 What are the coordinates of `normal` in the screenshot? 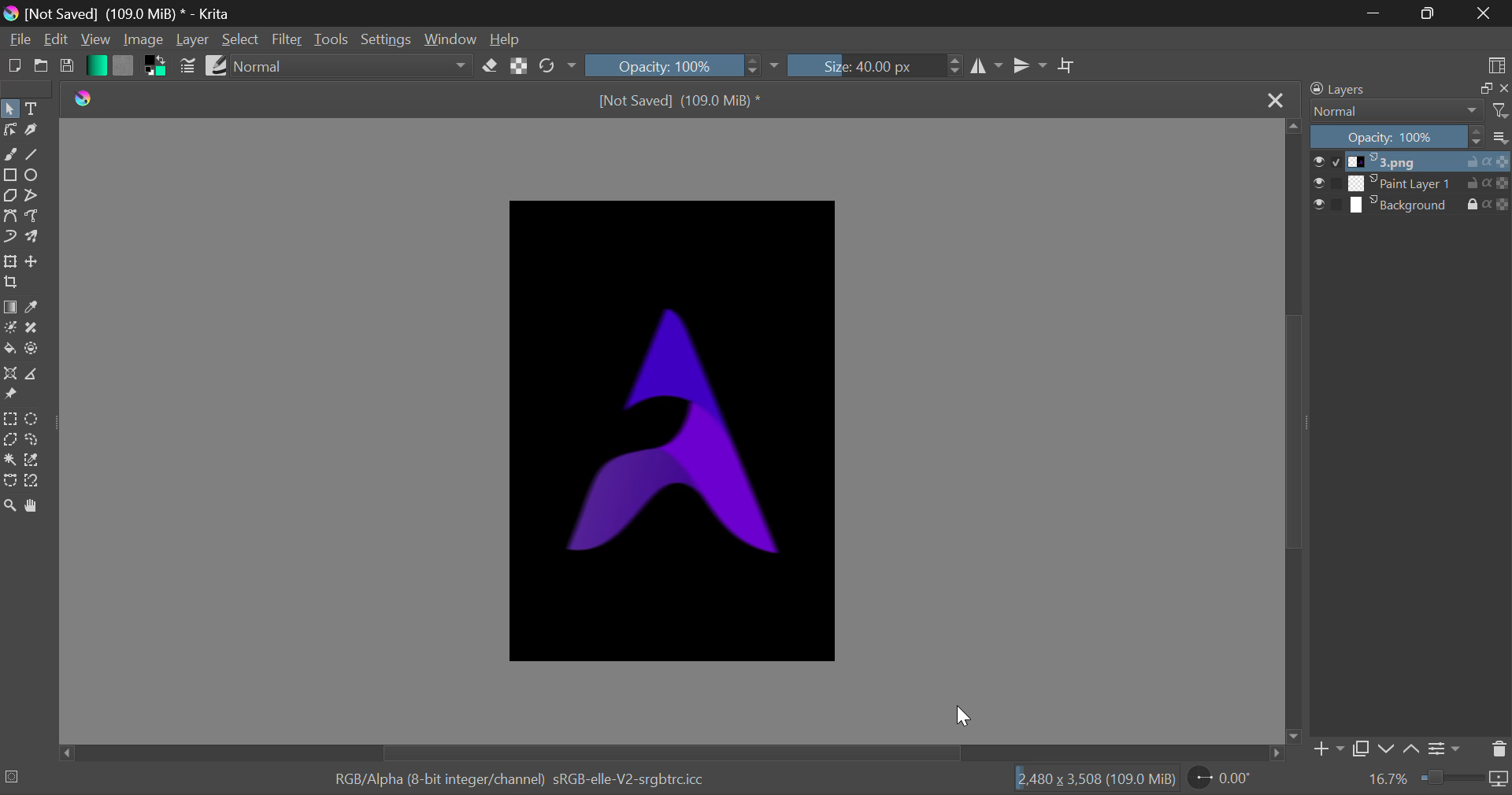 It's located at (351, 65).